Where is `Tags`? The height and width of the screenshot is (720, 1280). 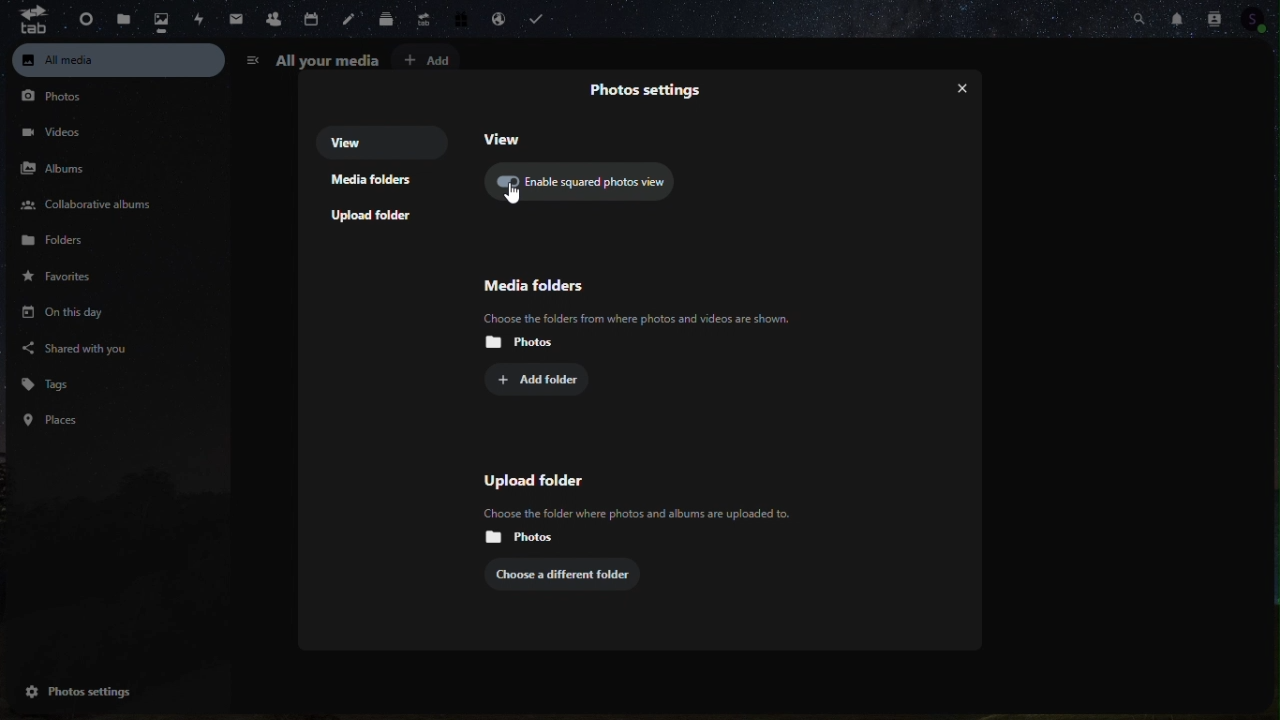
Tags is located at coordinates (55, 382).